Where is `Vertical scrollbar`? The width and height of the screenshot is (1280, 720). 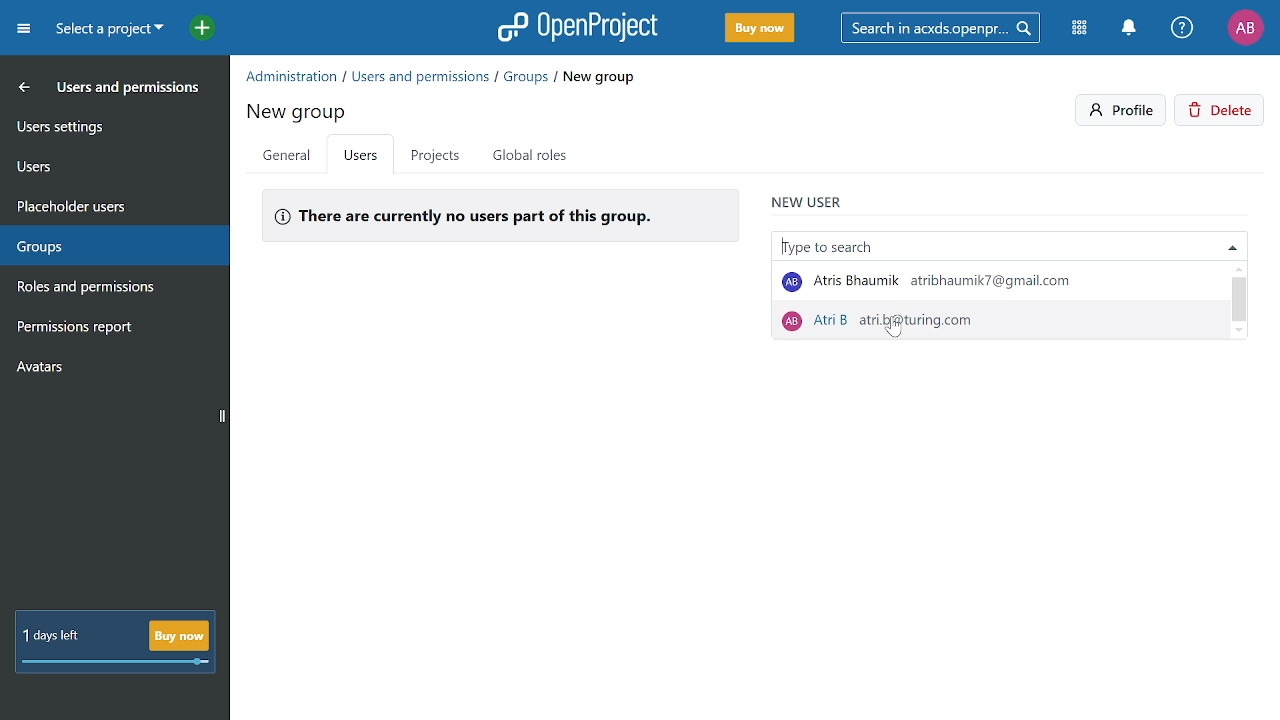
Vertical scrollbar is located at coordinates (1240, 299).